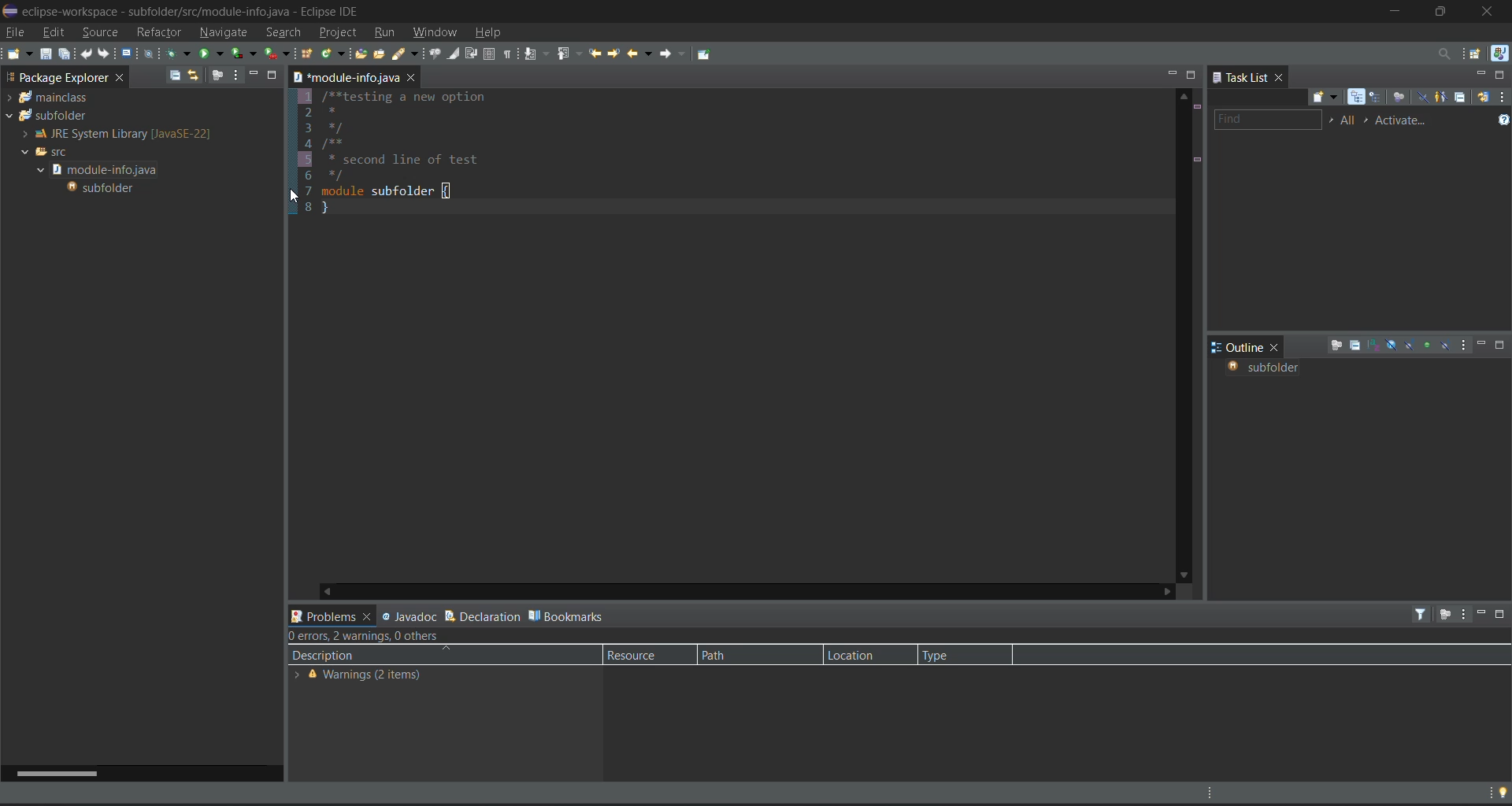 The height and width of the screenshot is (806, 1512). I want to click on previous annotation, so click(573, 54).